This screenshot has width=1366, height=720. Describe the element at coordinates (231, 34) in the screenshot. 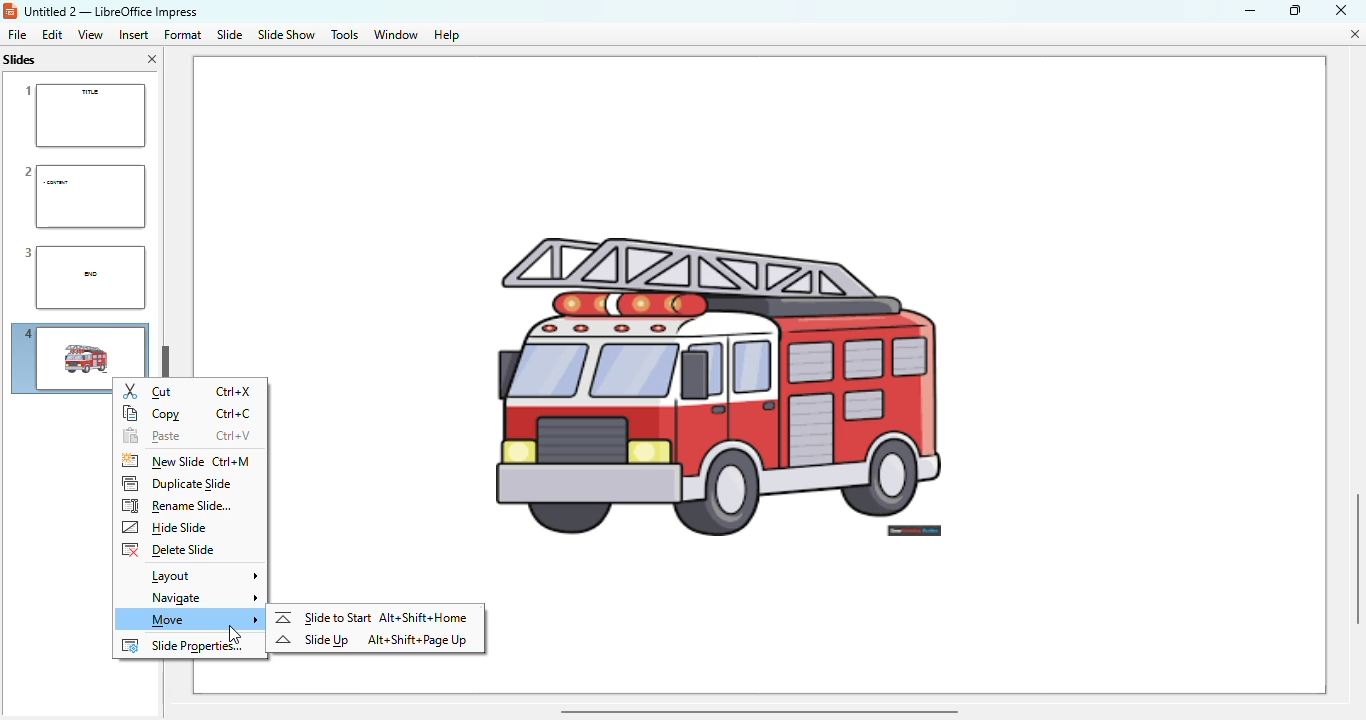

I see `slide` at that location.